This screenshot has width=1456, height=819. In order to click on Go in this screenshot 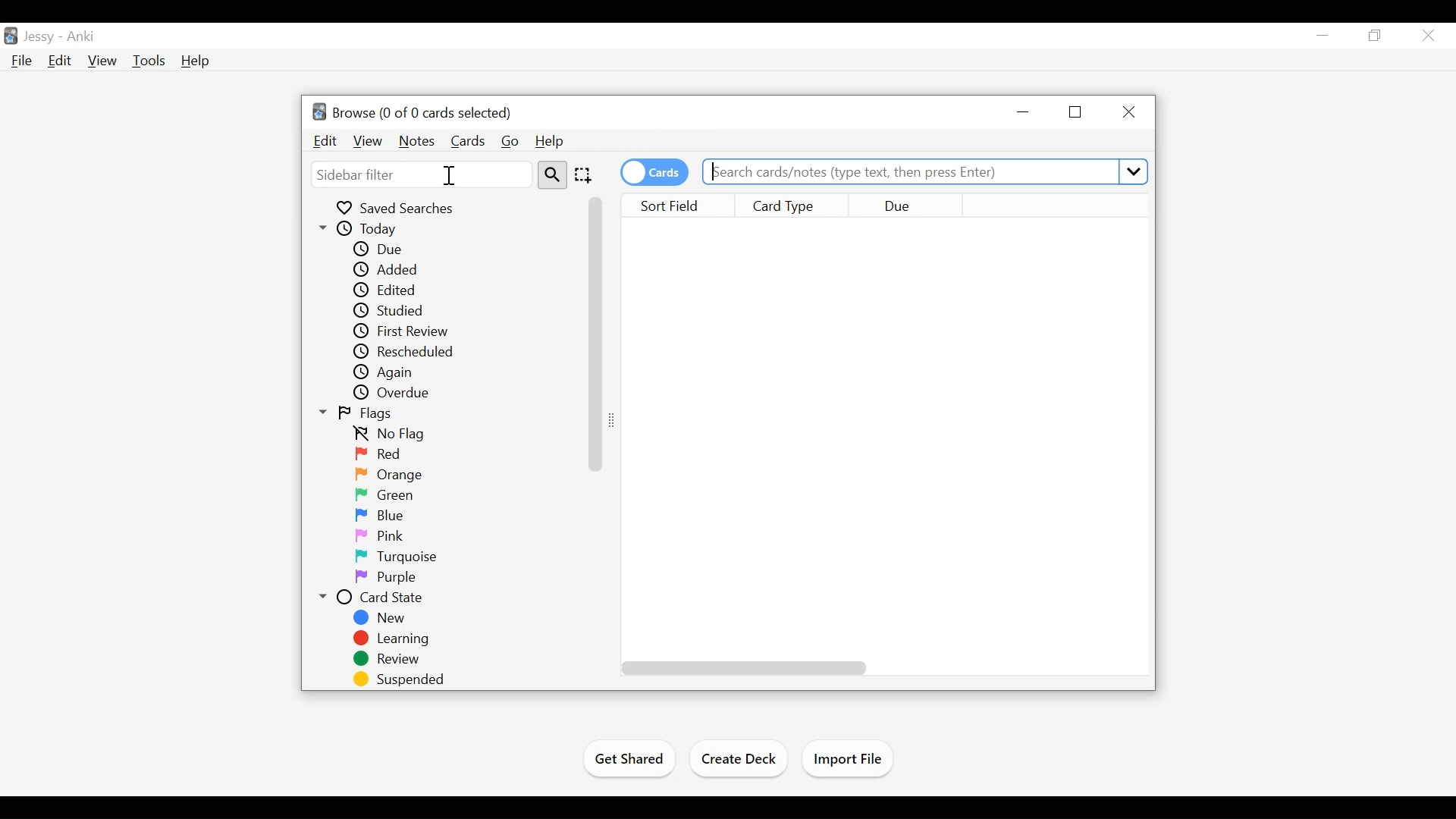, I will do `click(511, 141)`.